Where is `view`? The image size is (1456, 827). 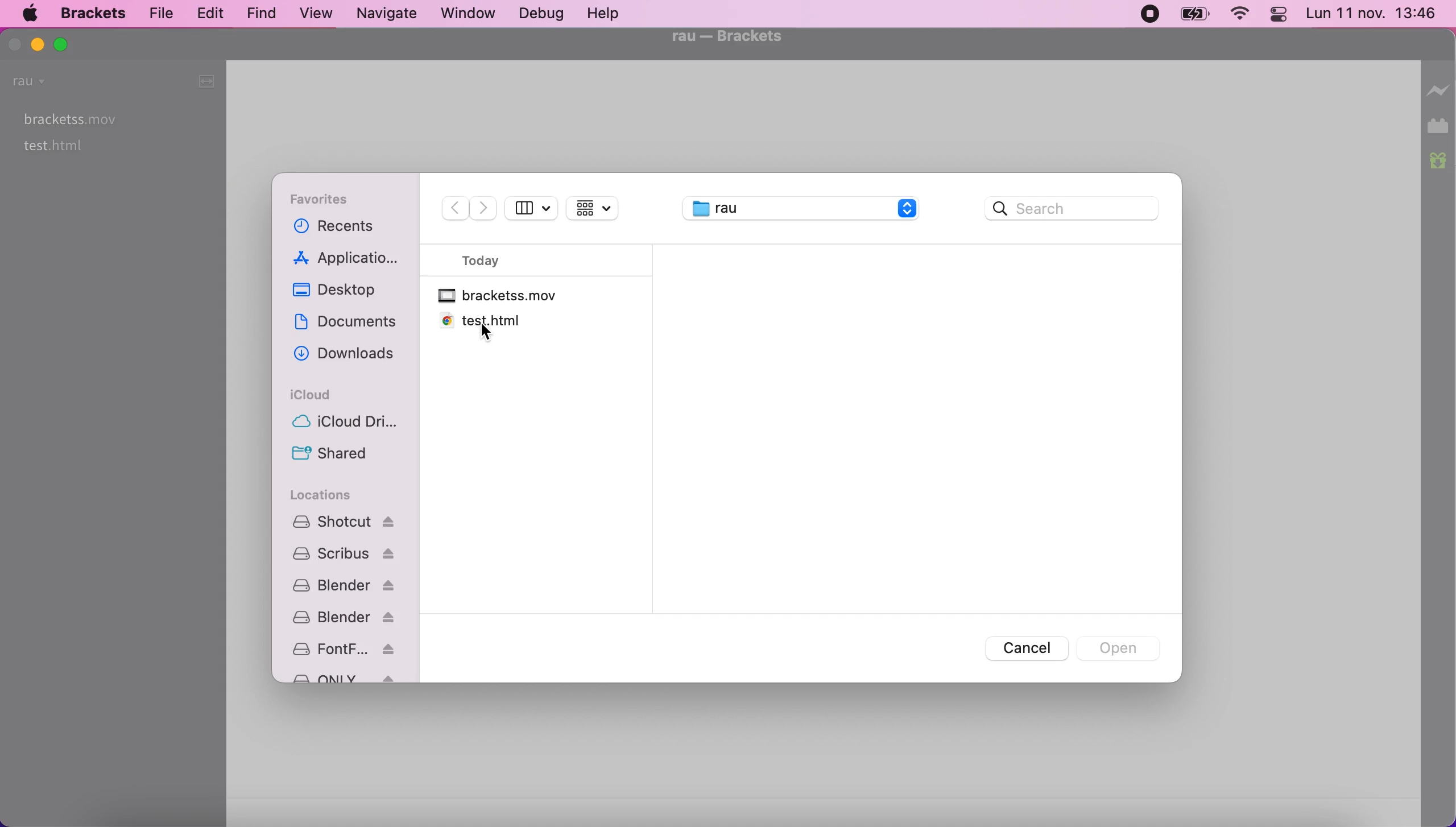 view is located at coordinates (317, 15).